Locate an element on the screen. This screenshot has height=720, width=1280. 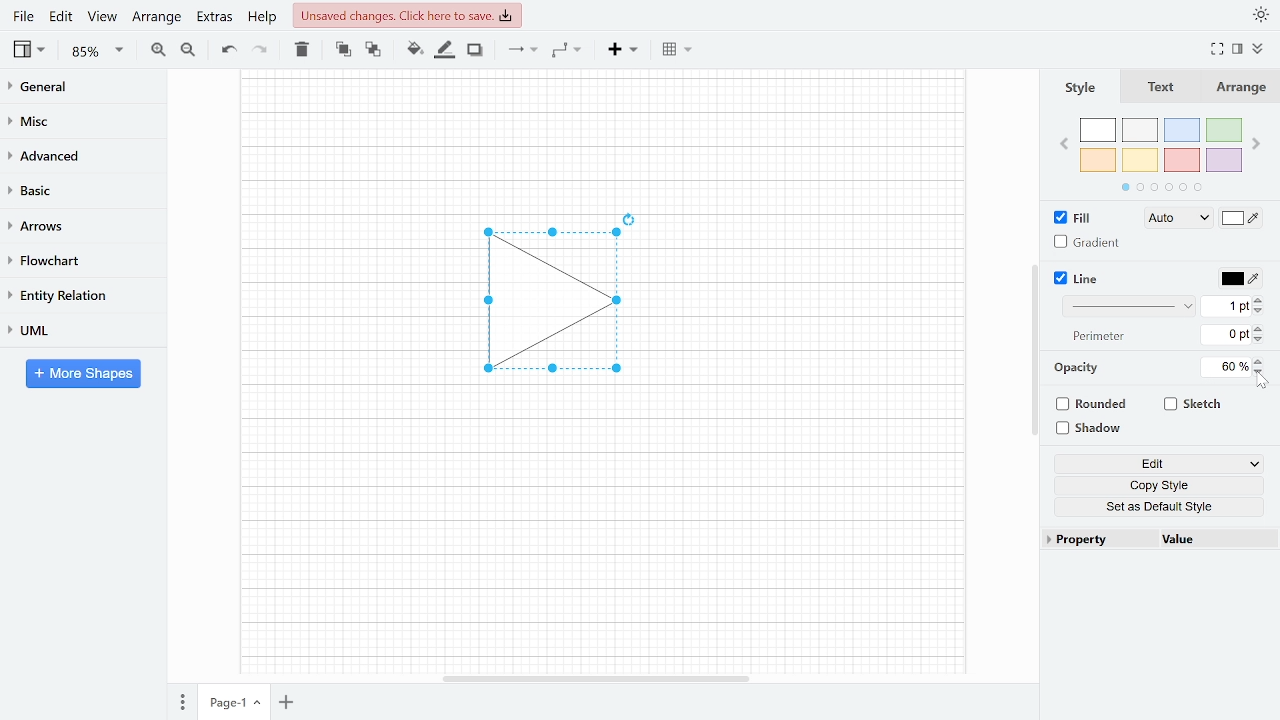
UML is located at coordinates (74, 330).